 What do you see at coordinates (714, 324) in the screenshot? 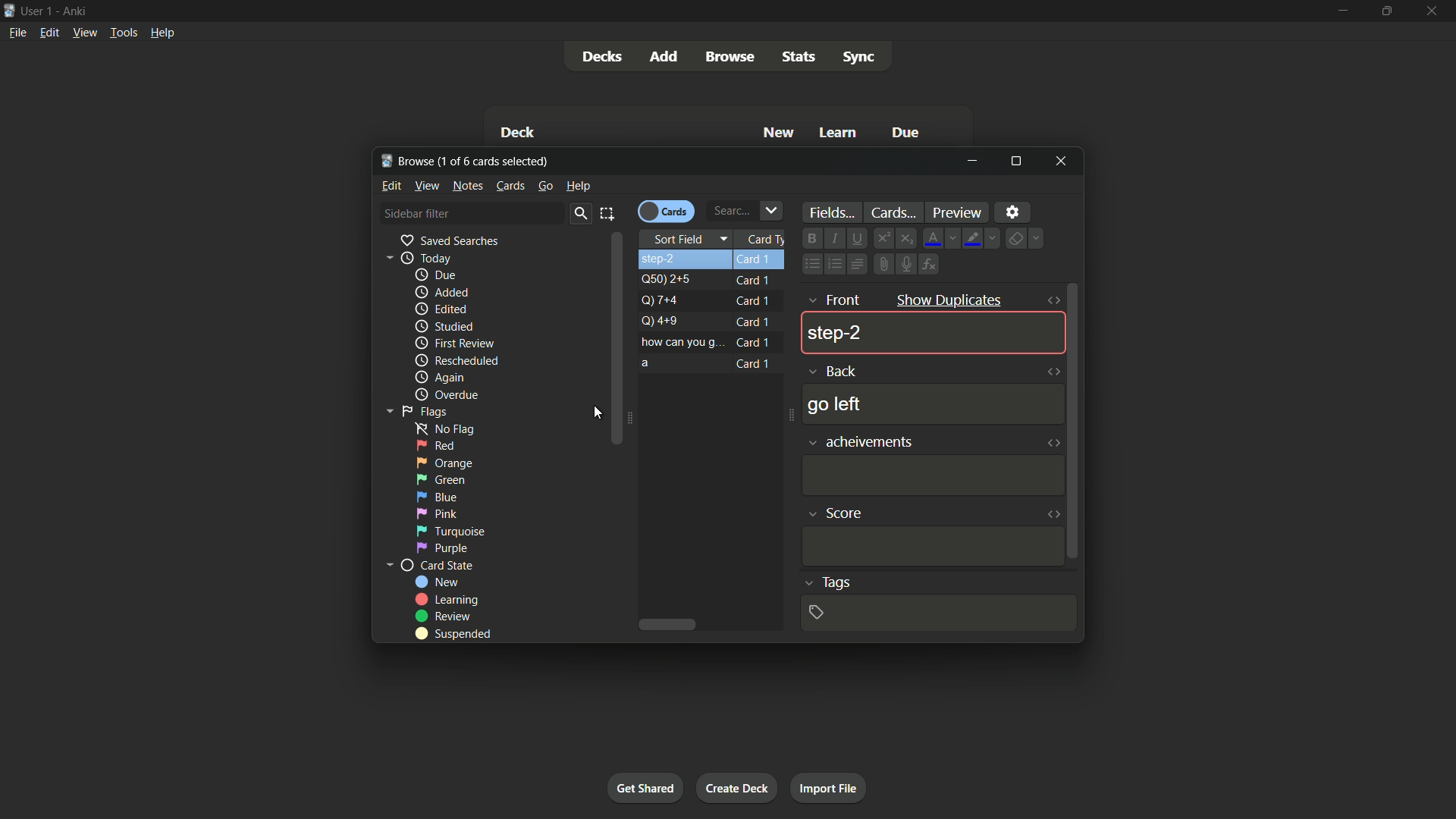
I see `Q)50)2+5Q)7+4 Card 14+9 Card 1 how can youg.. Card 1 a Card 1` at bounding box center [714, 324].